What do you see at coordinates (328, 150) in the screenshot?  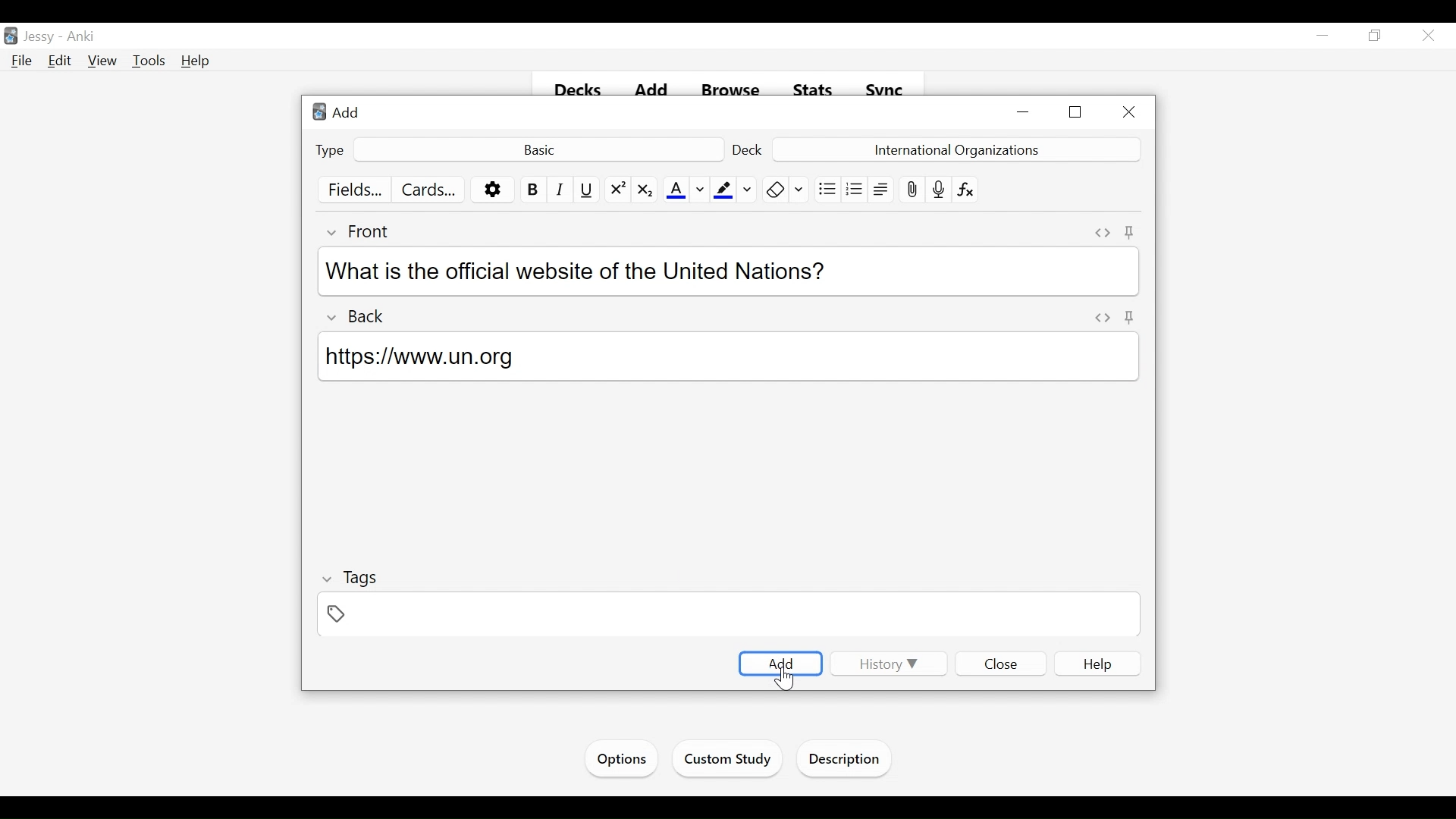 I see `Type` at bounding box center [328, 150].